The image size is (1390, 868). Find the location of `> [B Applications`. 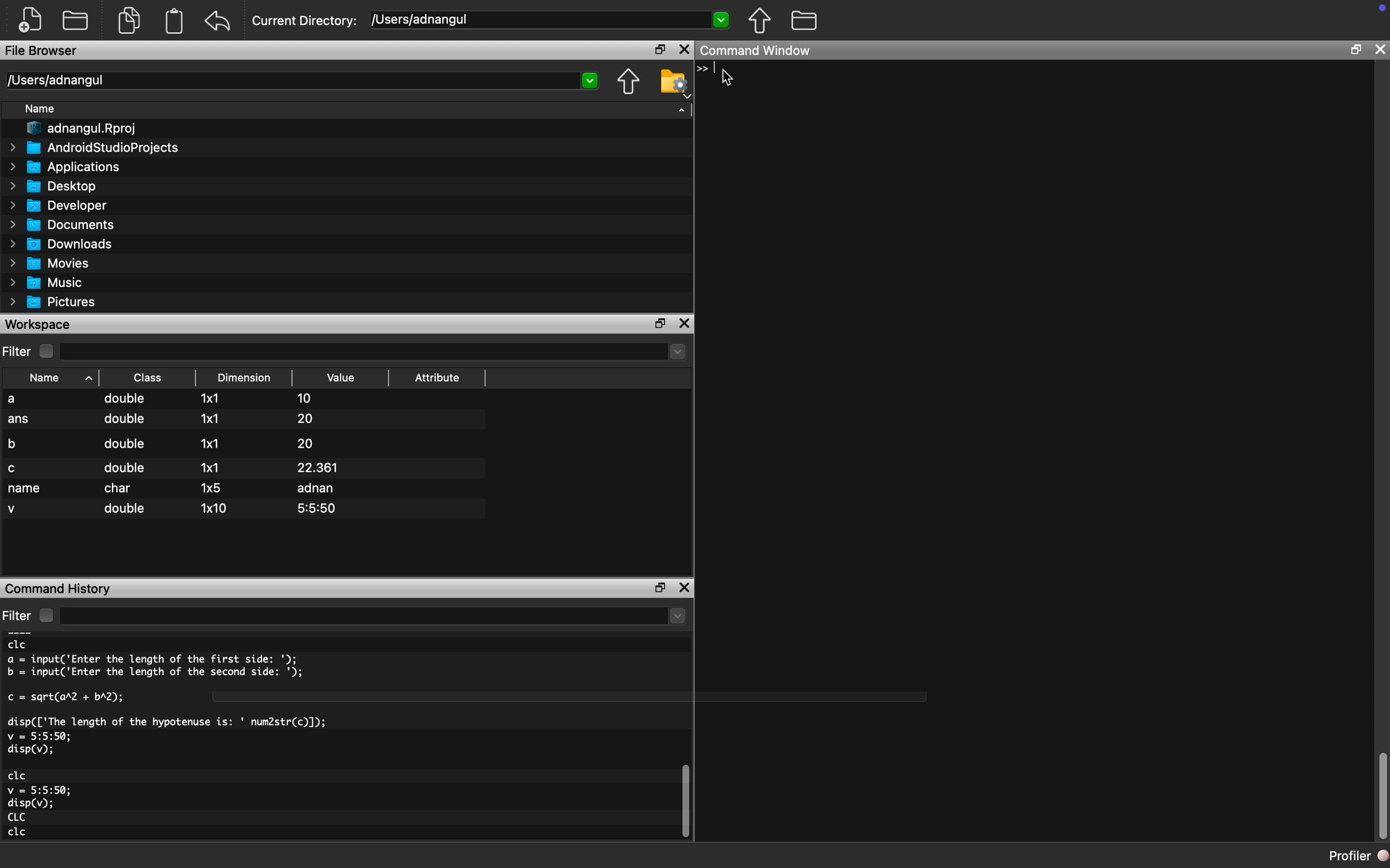

> [B Applications is located at coordinates (65, 167).